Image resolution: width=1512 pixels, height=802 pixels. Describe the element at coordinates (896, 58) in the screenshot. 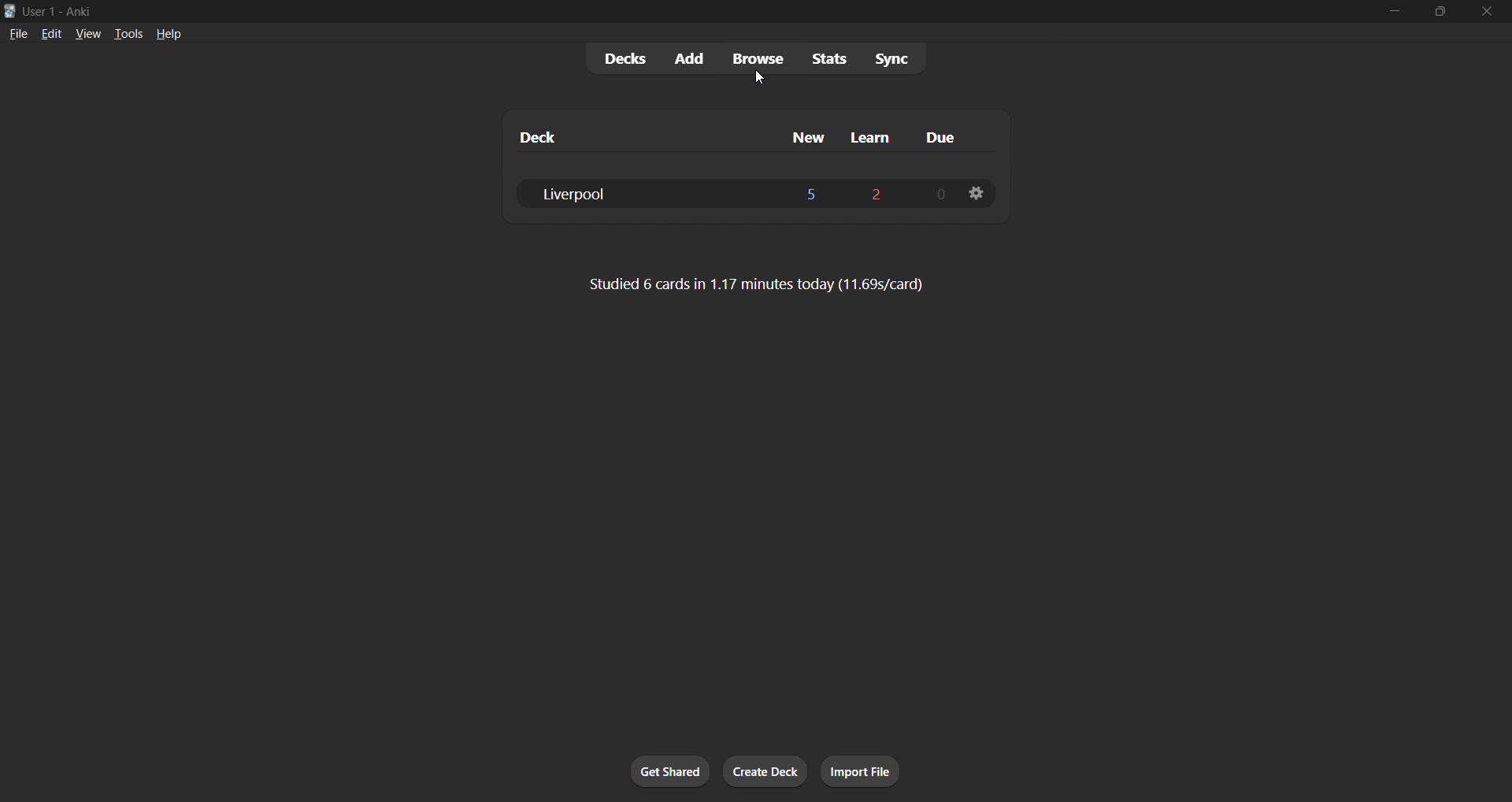

I see `sync` at that location.